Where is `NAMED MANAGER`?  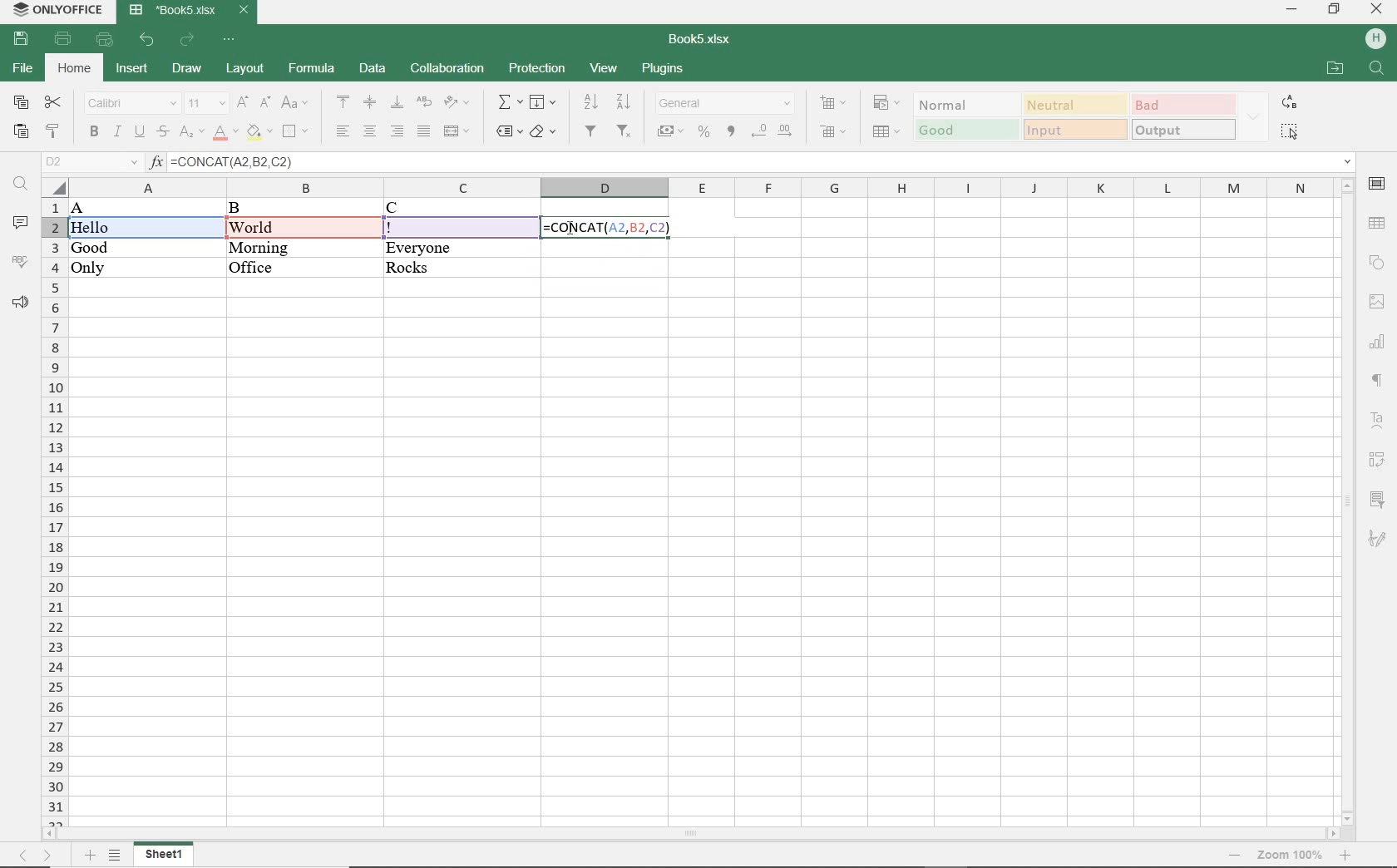
NAMED MANAGER is located at coordinates (91, 162).